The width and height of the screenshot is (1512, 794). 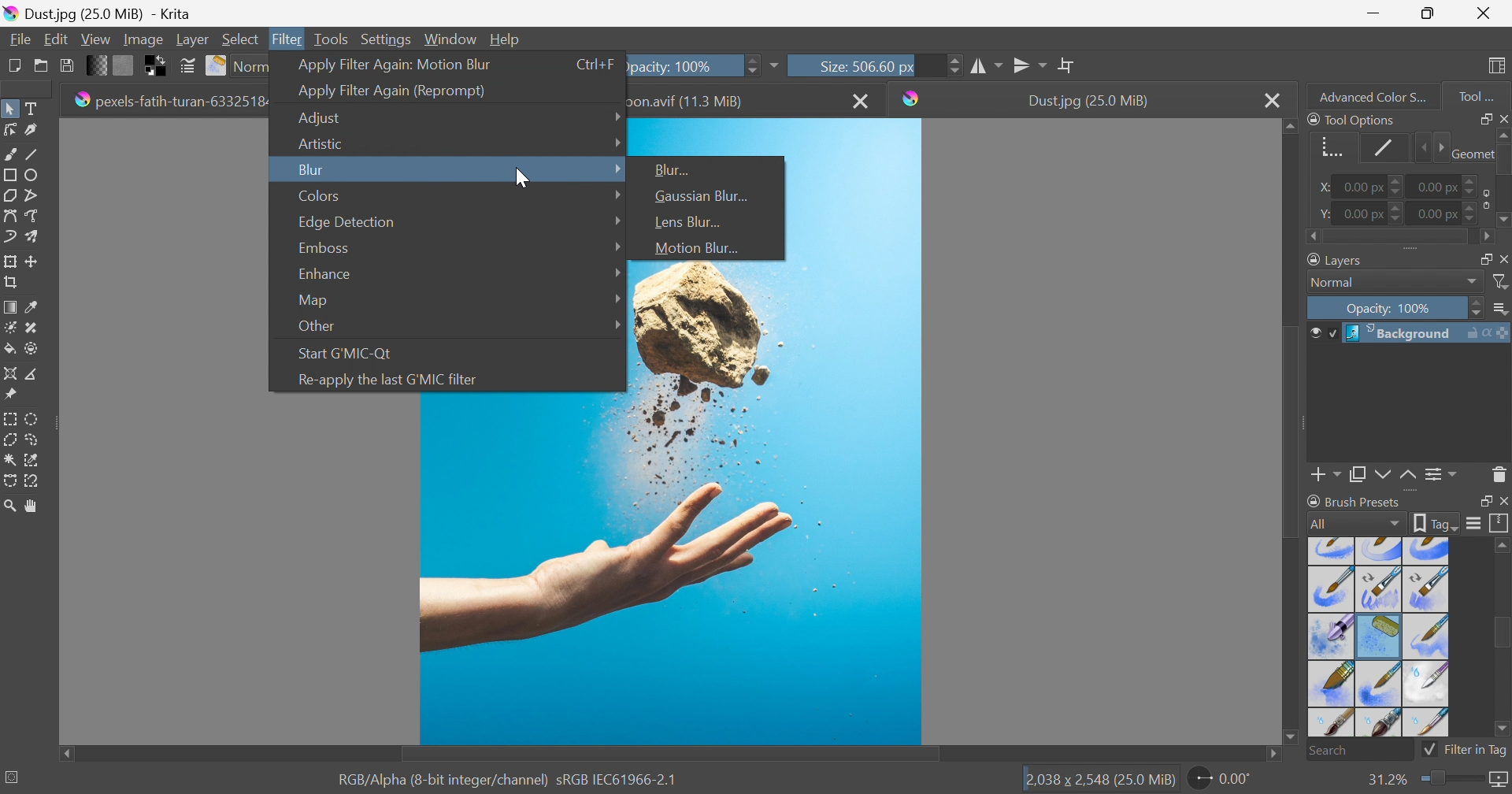 What do you see at coordinates (9, 483) in the screenshot?
I see `selection tool` at bounding box center [9, 483].